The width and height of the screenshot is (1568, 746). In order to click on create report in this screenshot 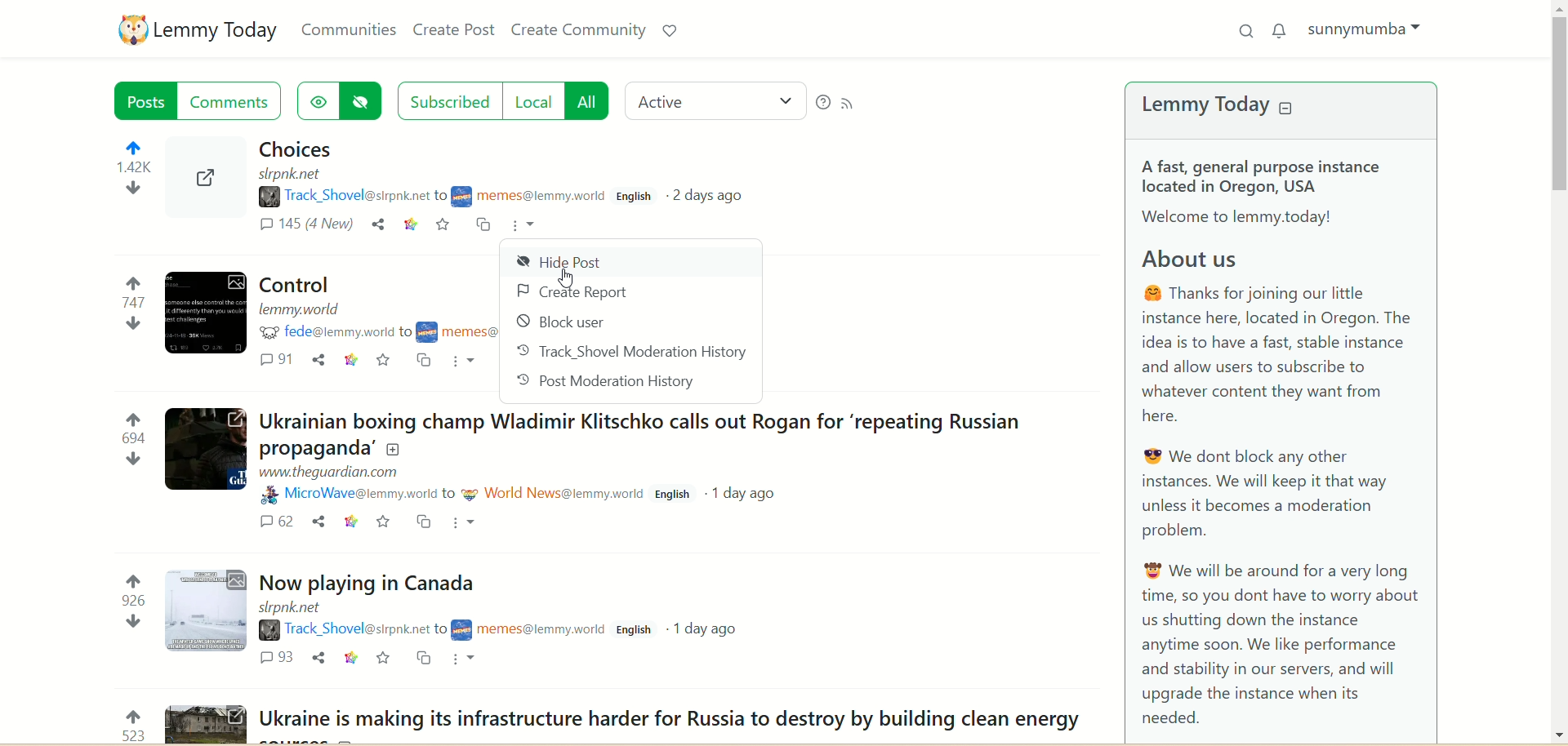, I will do `click(570, 291)`.